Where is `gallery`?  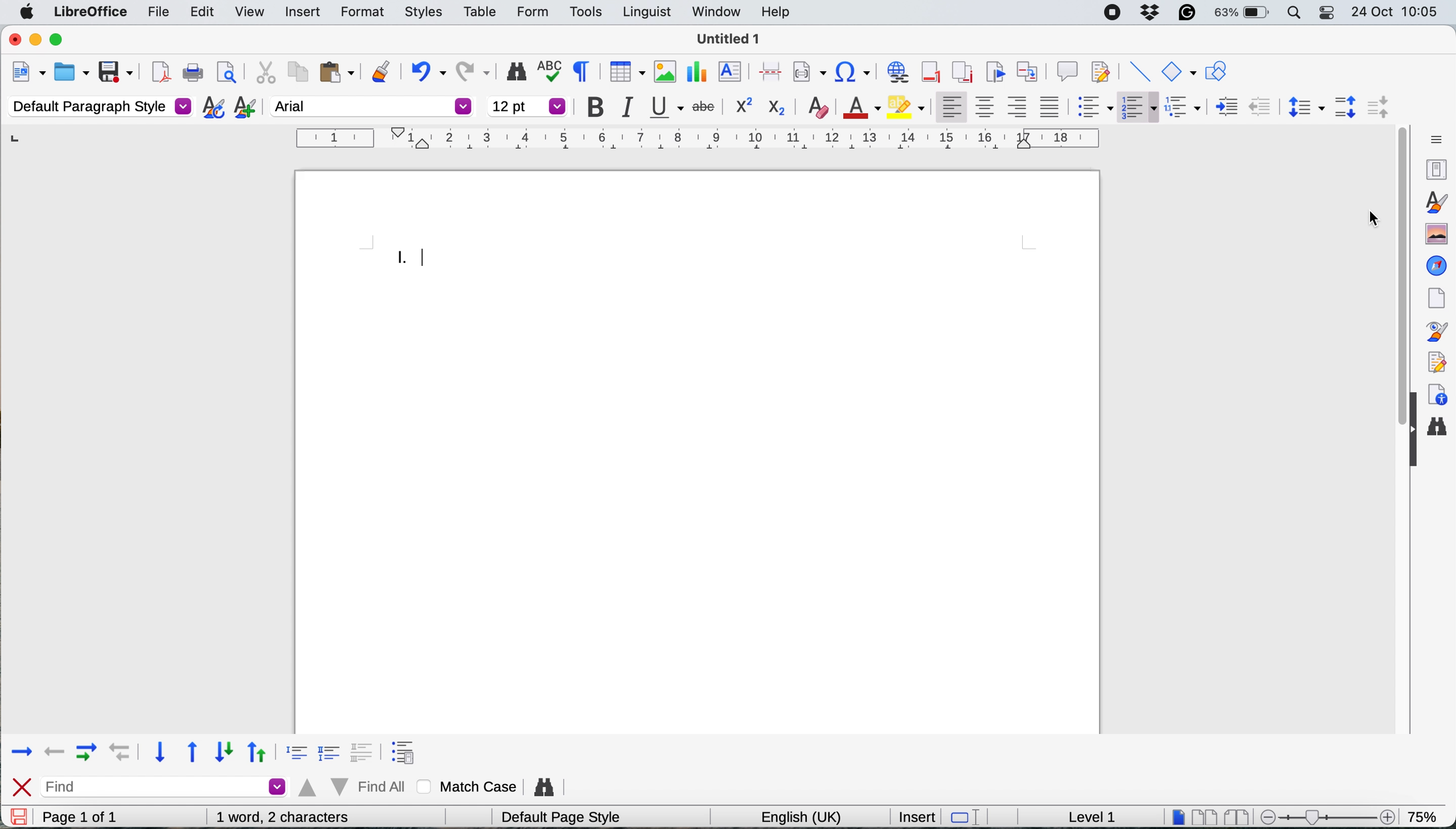 gallery is located at coordinates (1434, 232).